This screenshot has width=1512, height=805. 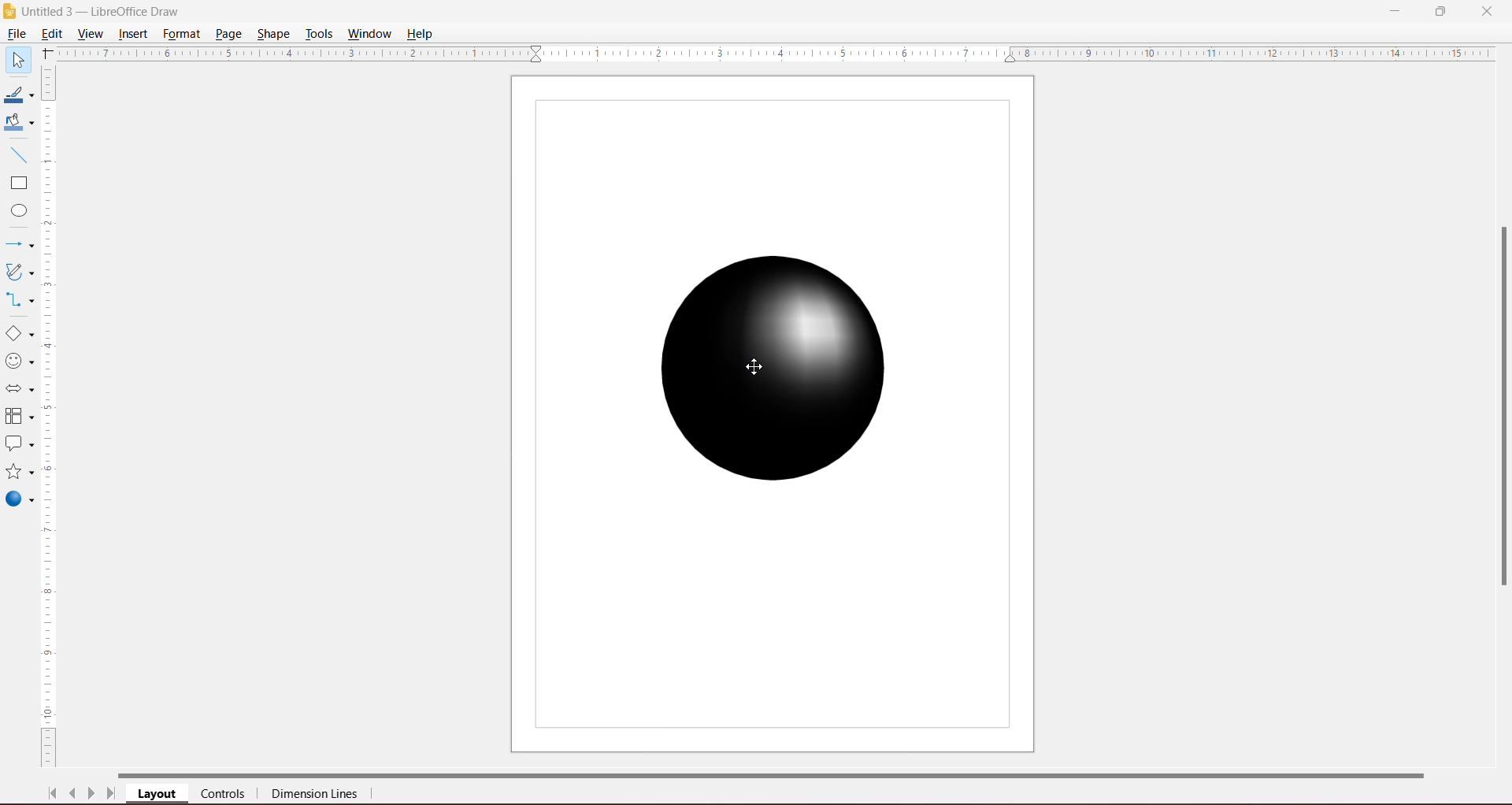 I want to click on Scroll to first page, so click(x=53, y=793).